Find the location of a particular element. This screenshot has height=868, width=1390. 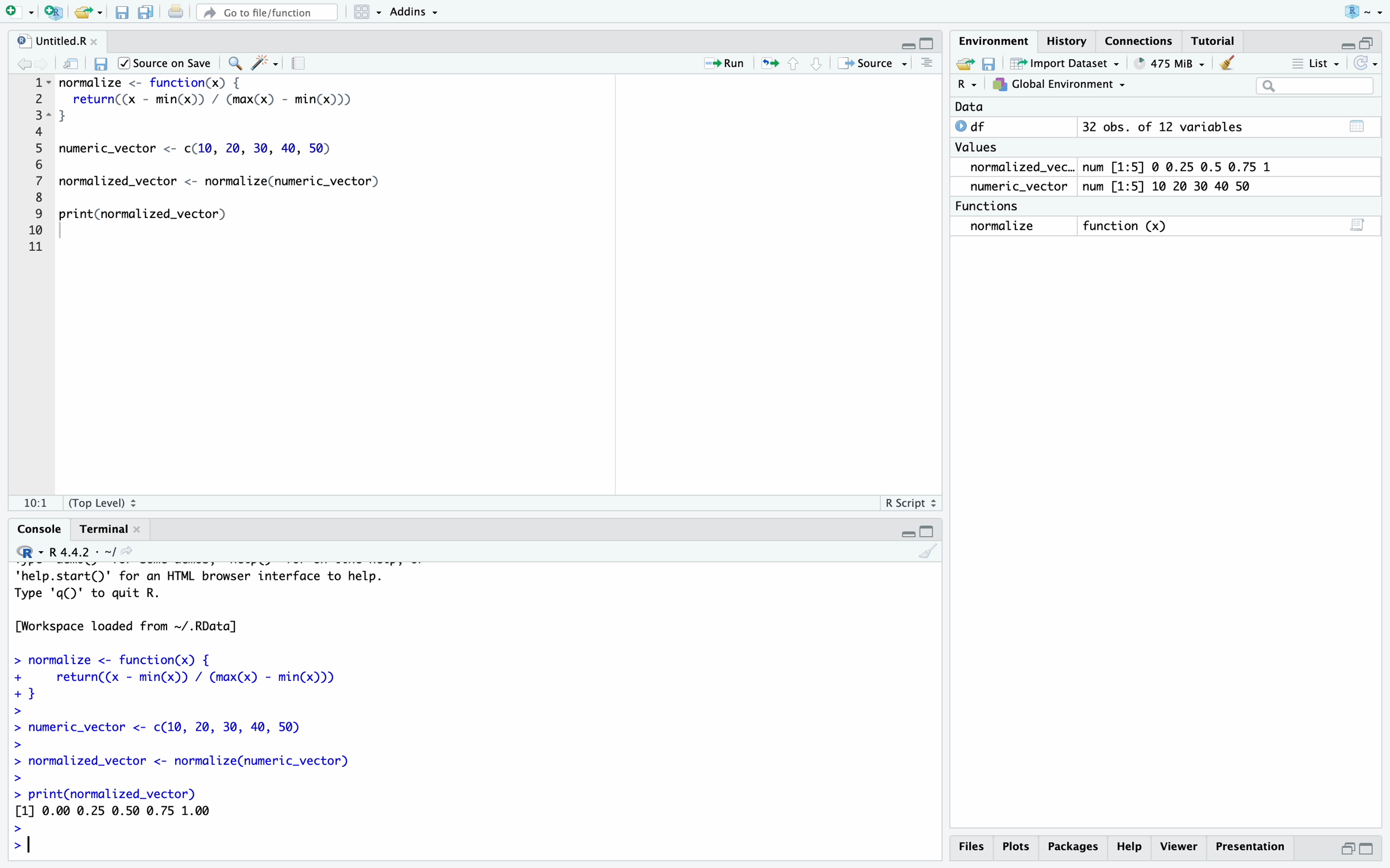

1234567891011 is located at coordinates (32, 168).